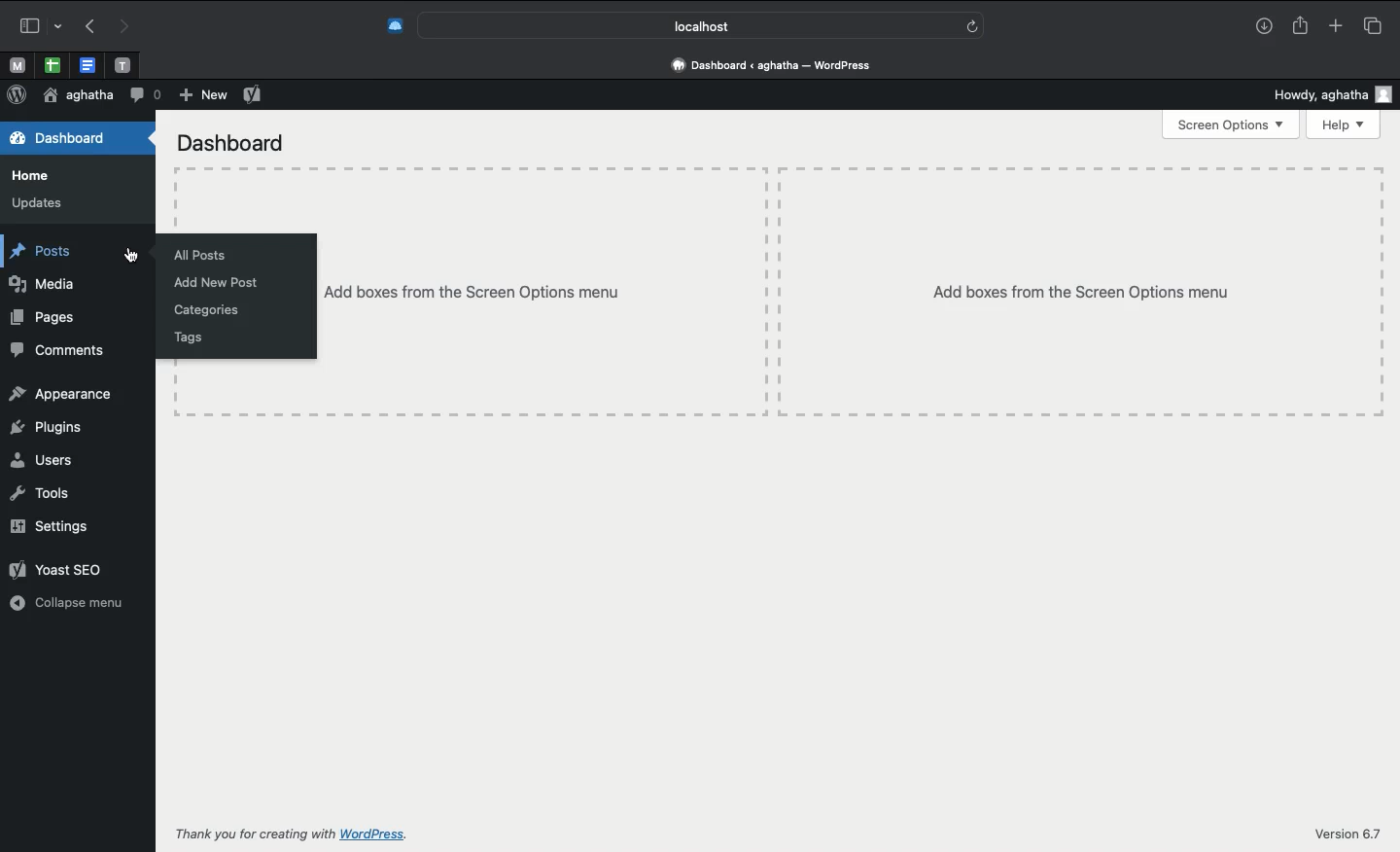 The width and height of the screenshot is (1400, 852). What do you see at coordinates (1229, 126) in the screenshot?
I see `Screen options` at bounding box center [1229, 126].